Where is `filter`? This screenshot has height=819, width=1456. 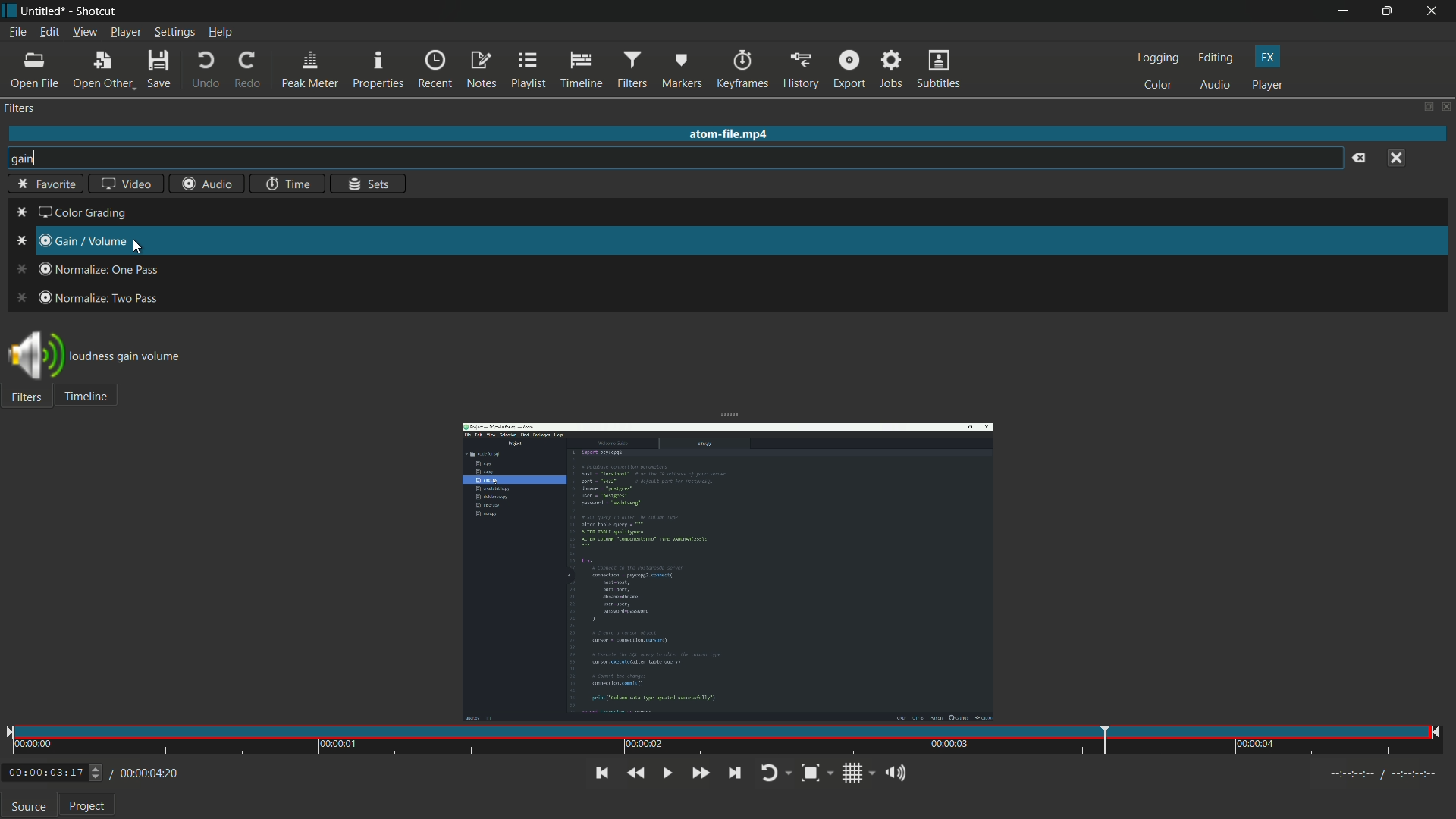 filter is located at coordinates (20, 108).